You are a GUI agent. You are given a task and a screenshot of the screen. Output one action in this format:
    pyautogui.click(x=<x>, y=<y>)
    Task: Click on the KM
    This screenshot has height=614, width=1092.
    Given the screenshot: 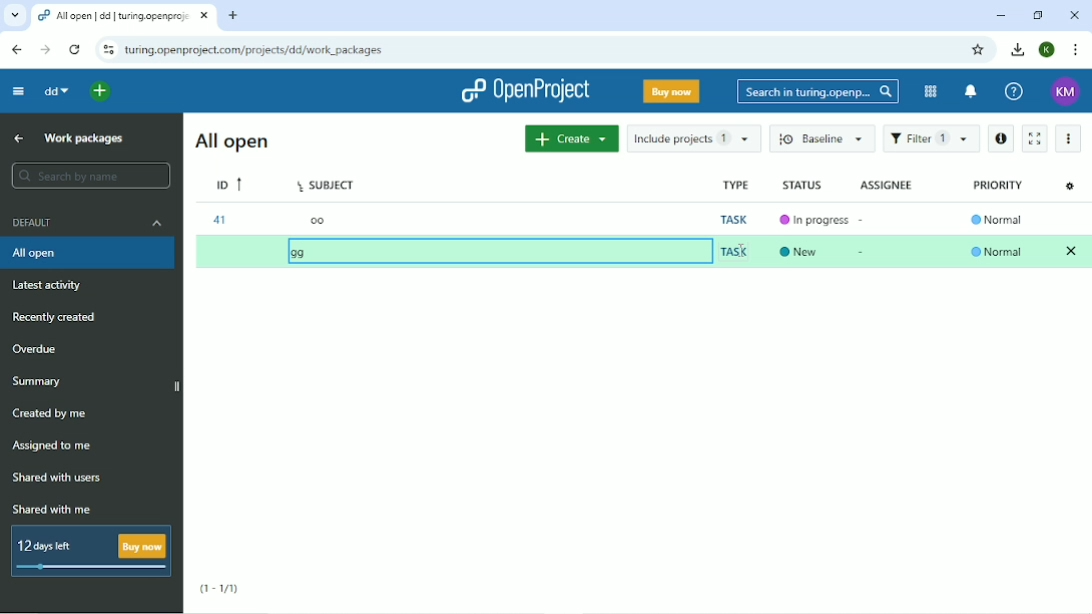 What is the action you would take?
    pyautogui.click(x=1064, y=91)
    